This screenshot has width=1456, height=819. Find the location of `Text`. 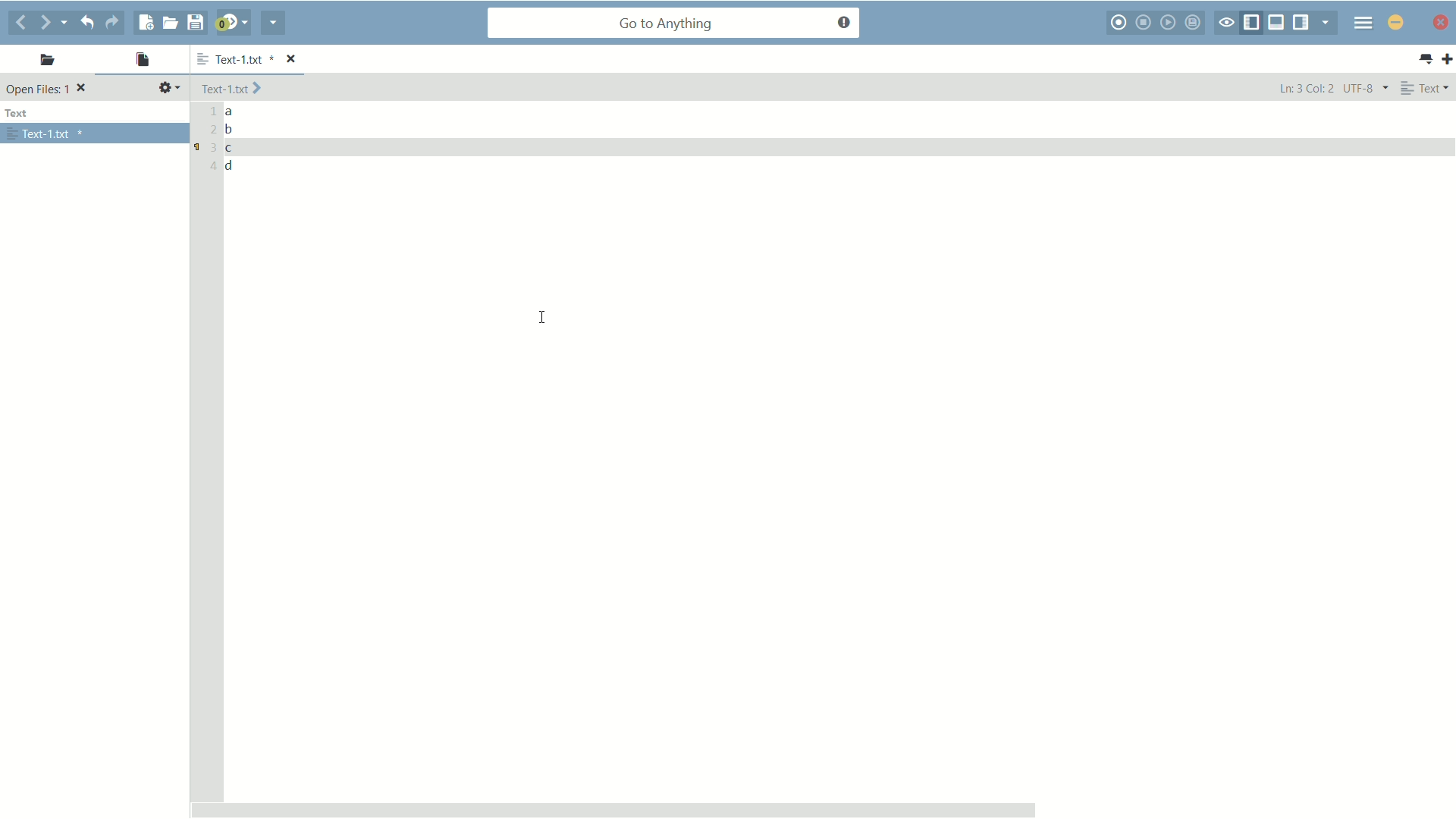

Text is located at coordinates (1427, 88).